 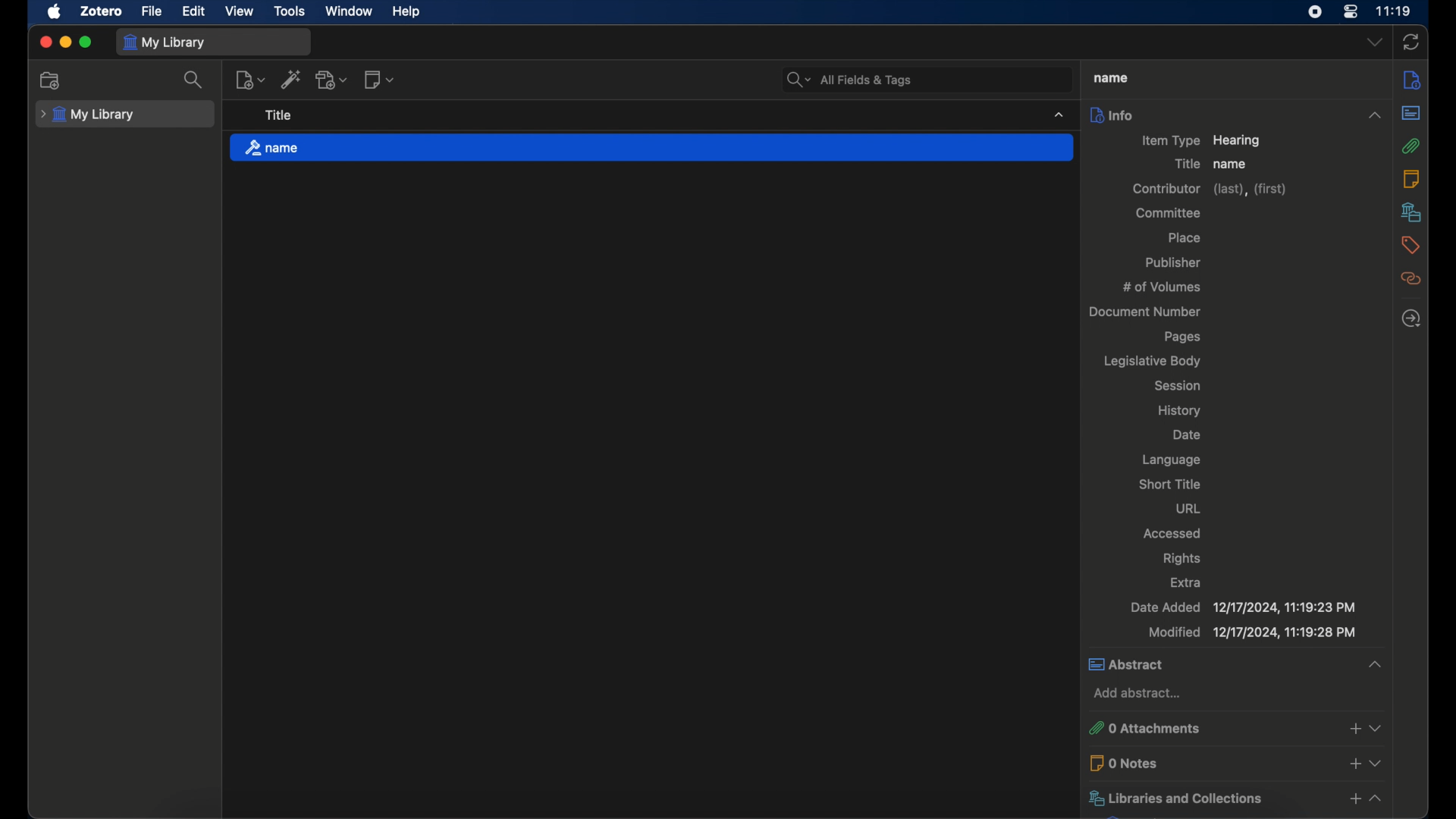 What do you see at coordinates (1162, 287) in the screenshot?
I see `no of volumes` at bounding box center [1162, 287].